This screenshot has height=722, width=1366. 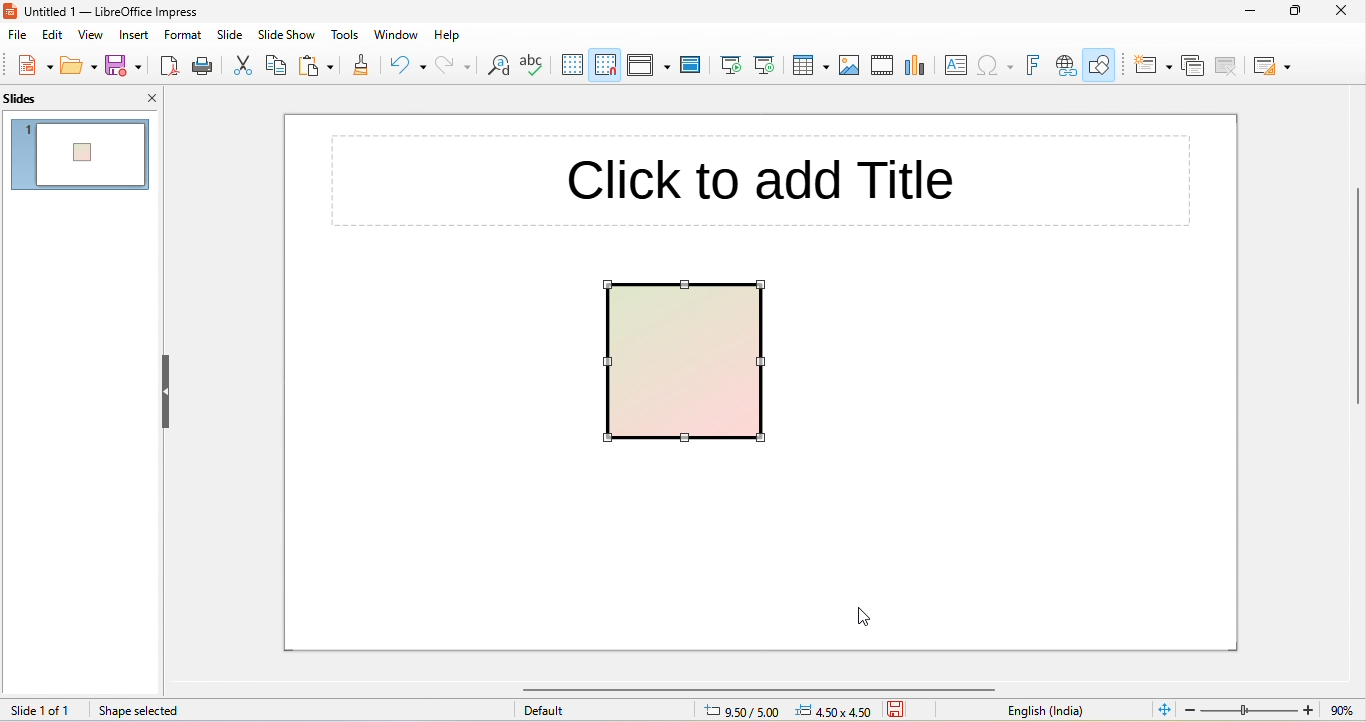 What do you see at coordinates (287, 34) in the screenshot?
I see `slideshow` at bounding box center [287, 34].